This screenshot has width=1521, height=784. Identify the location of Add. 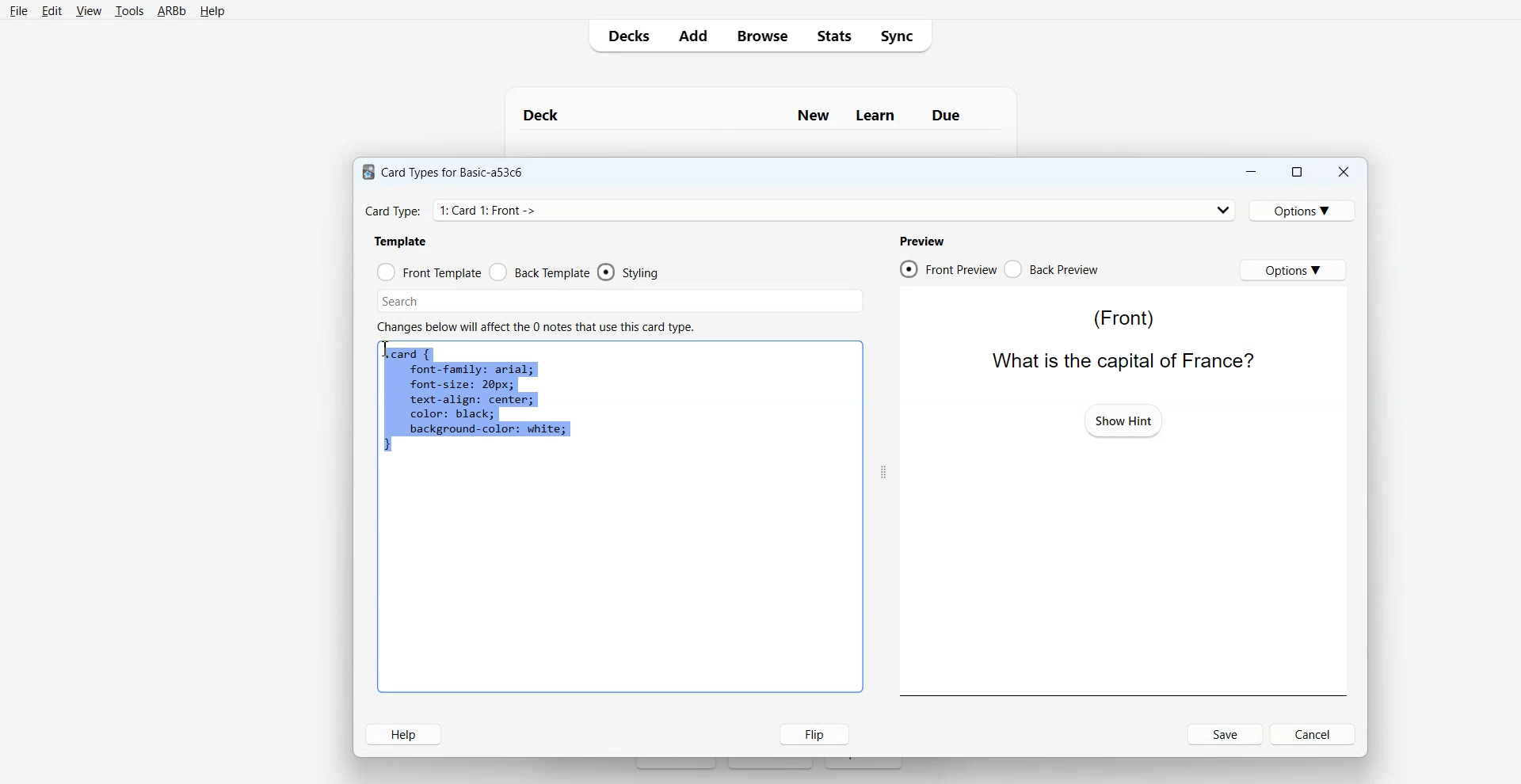
(692, 36).